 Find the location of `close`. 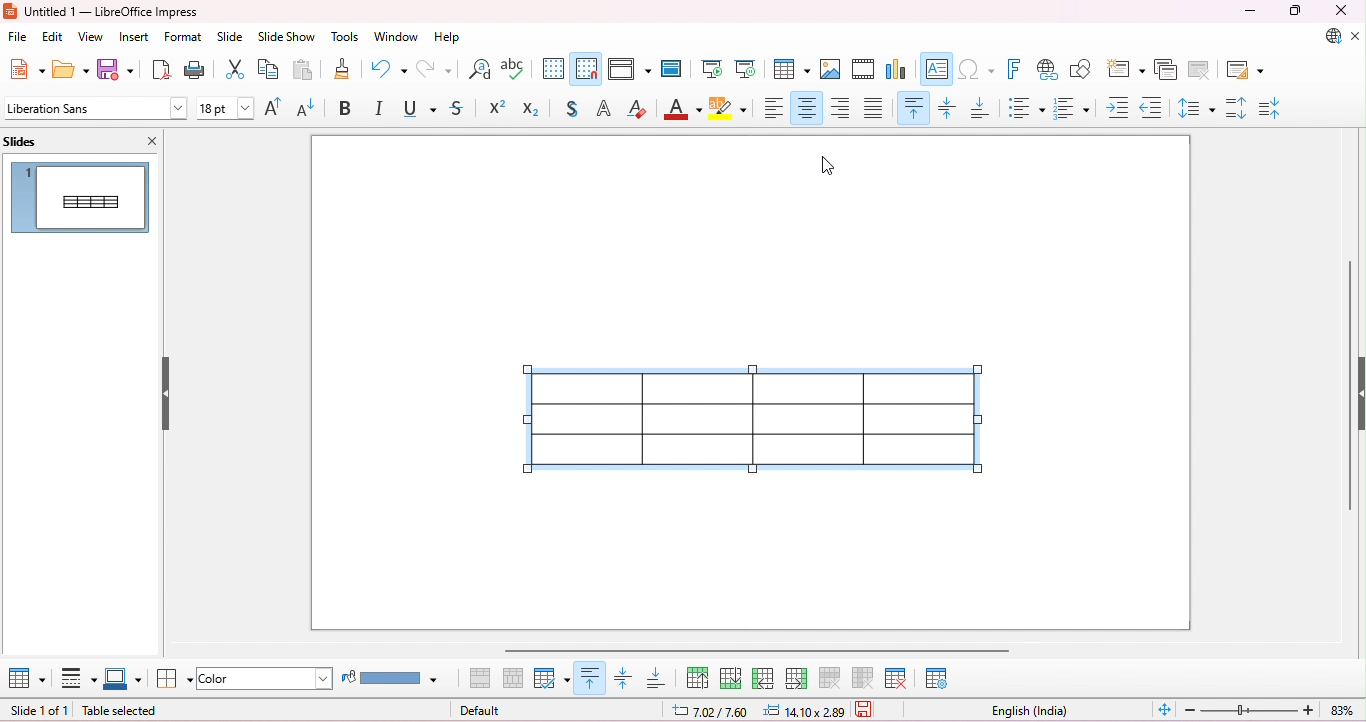

close is located at coordinates (1338, 11).